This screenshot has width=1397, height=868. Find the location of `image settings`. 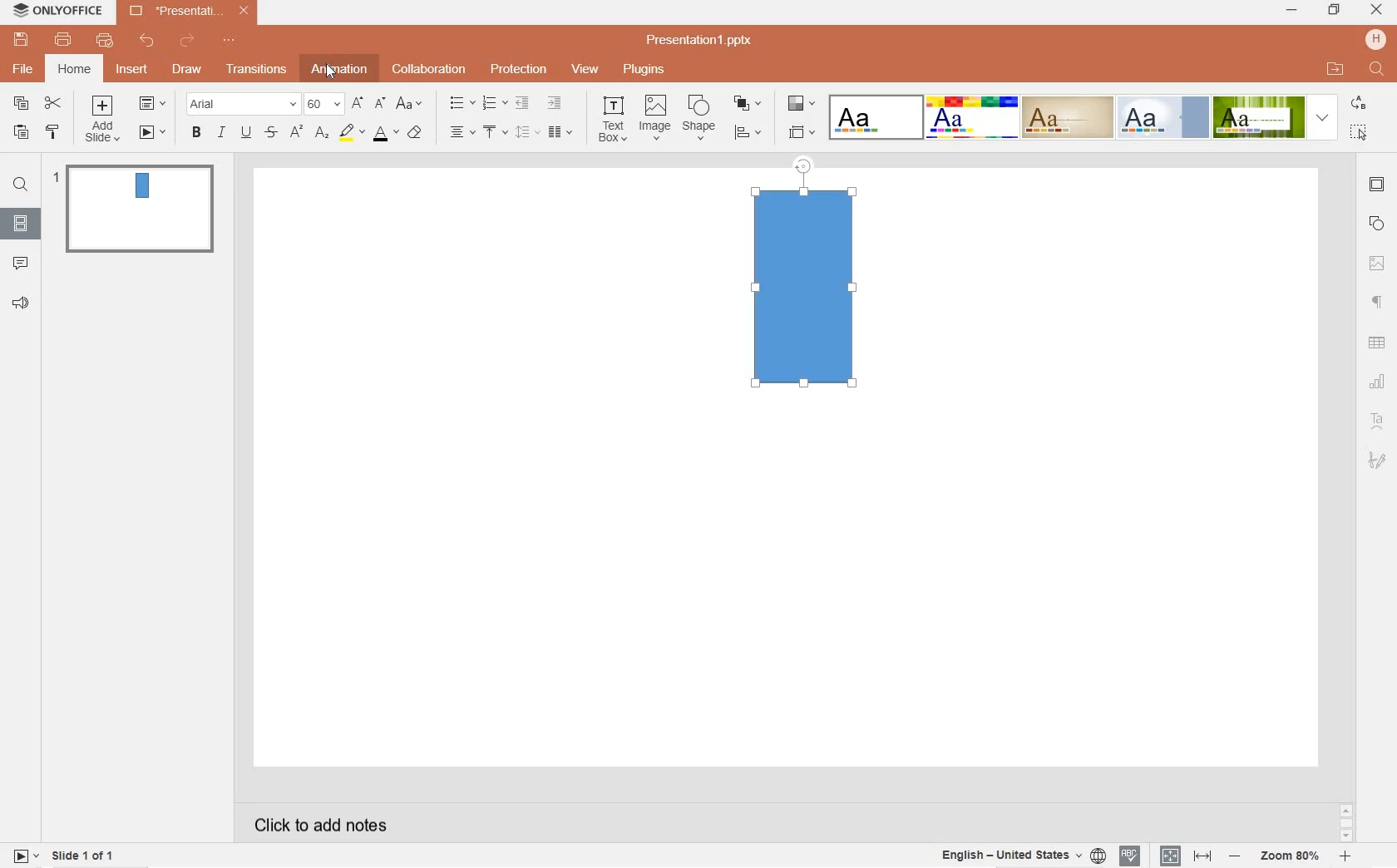

image settings is located at coordinates (1377, 264).